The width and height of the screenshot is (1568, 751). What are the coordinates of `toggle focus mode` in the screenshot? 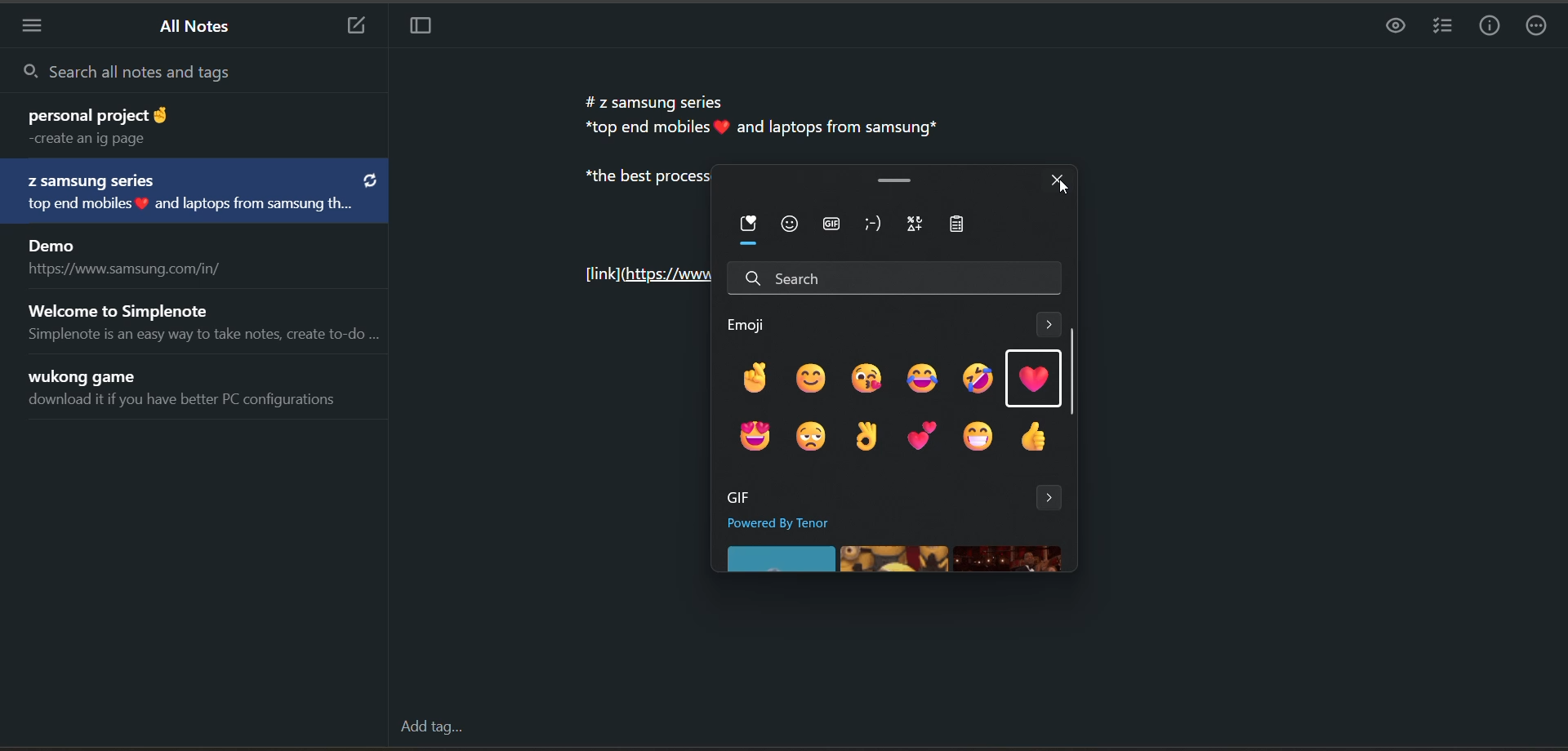 It's located at (429, 29).